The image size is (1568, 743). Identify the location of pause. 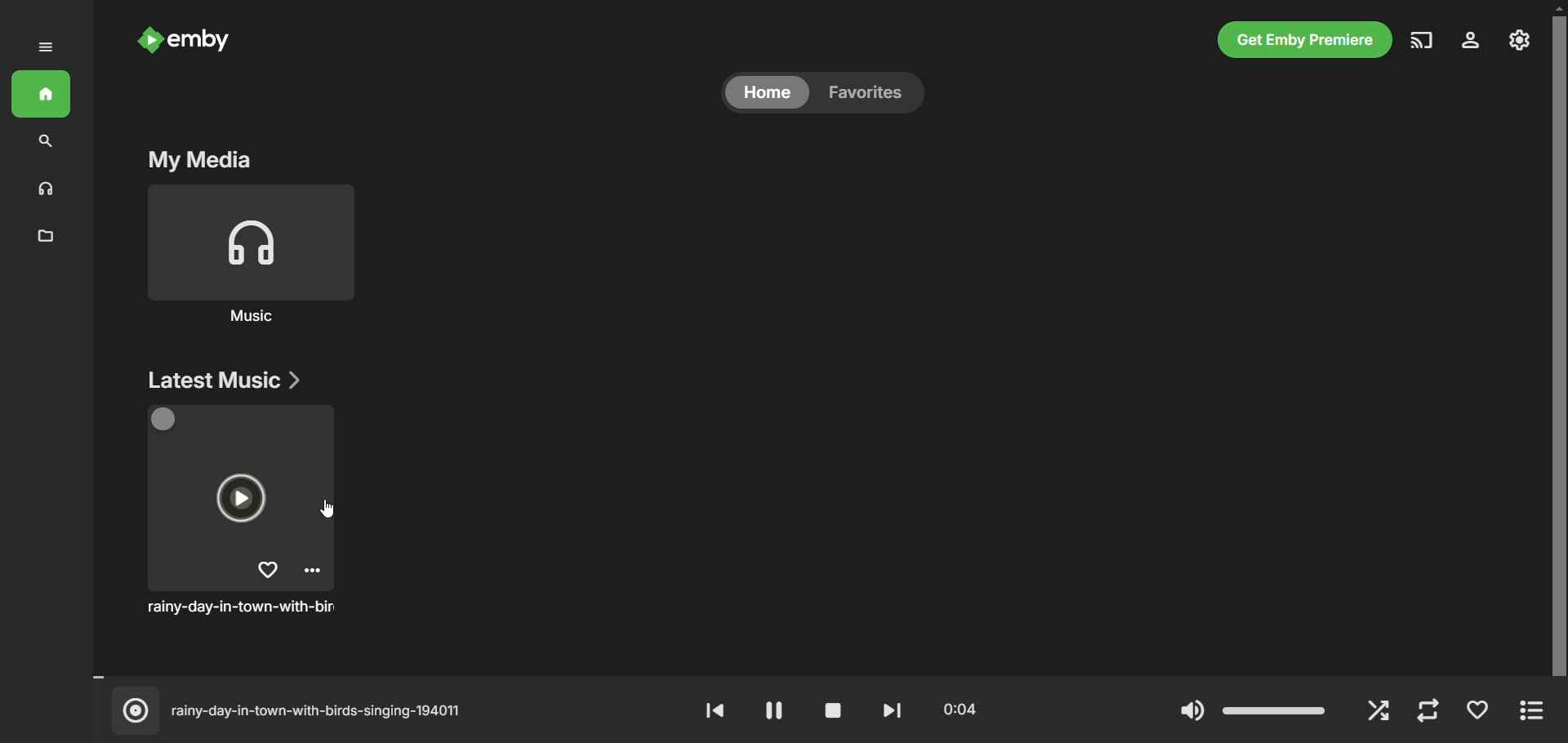
(834, 711).